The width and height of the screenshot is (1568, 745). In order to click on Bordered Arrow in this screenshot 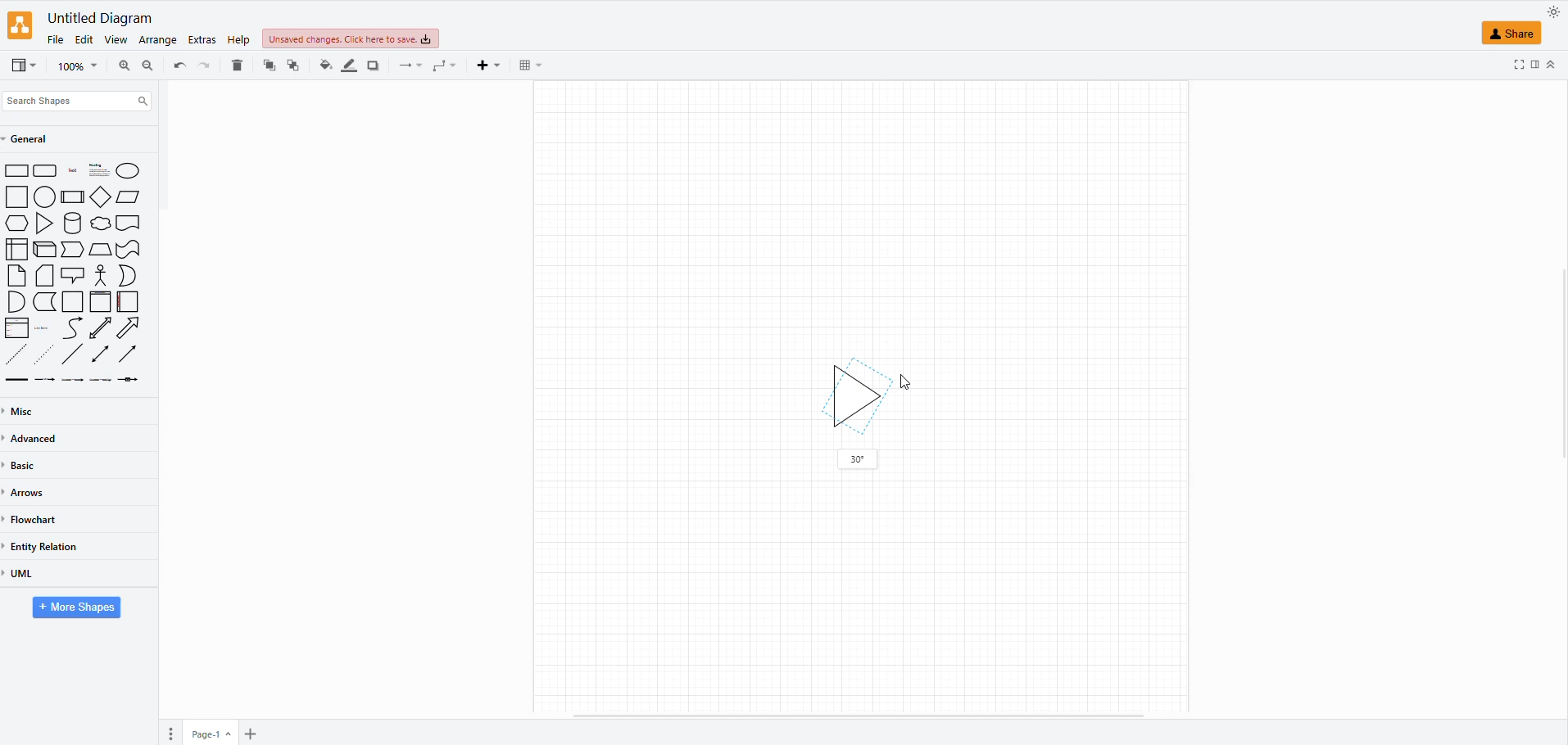, I will do `click(129, 328)`.